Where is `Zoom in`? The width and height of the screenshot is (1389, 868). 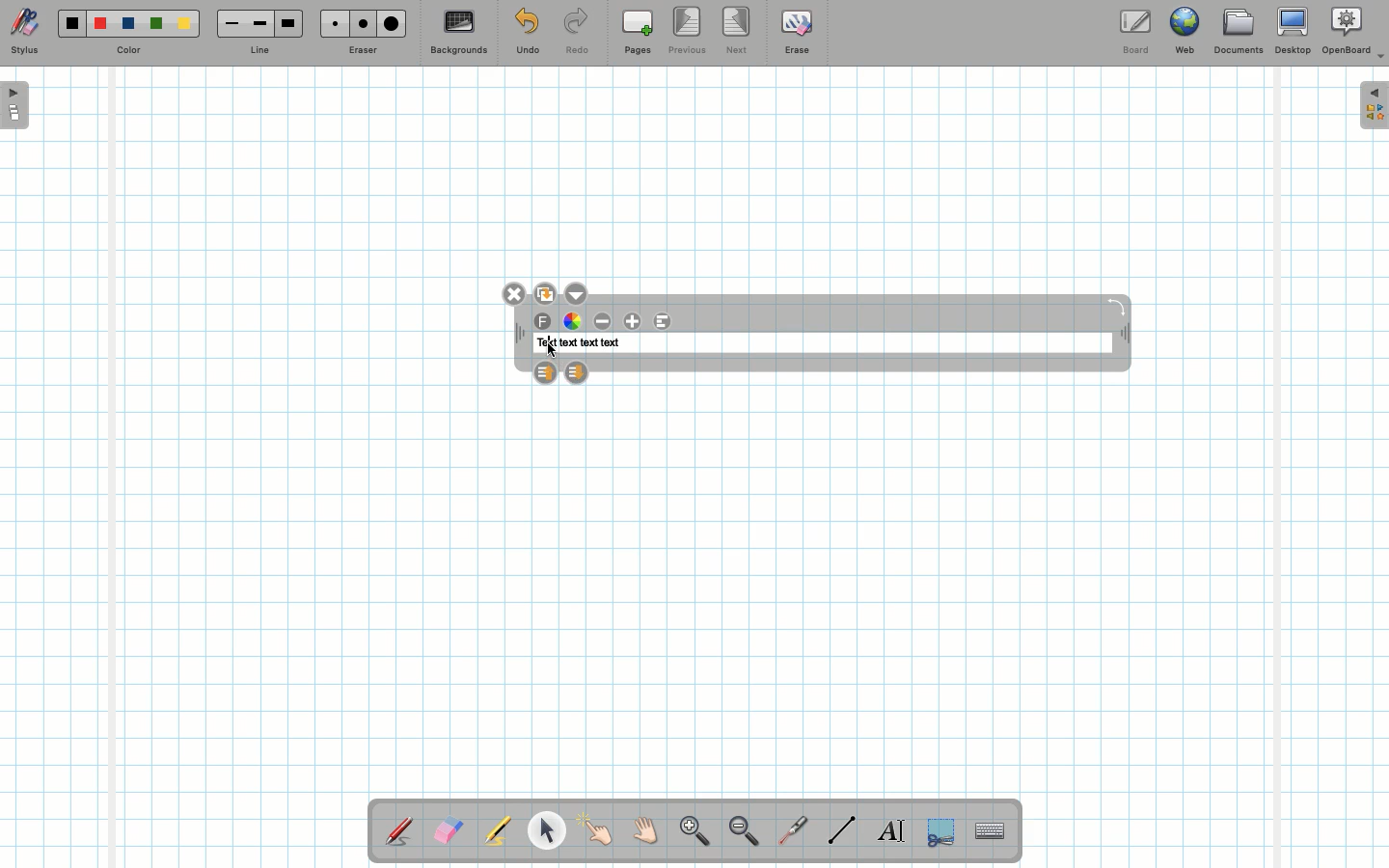 Zoom in is located at coordinates (690, 833).